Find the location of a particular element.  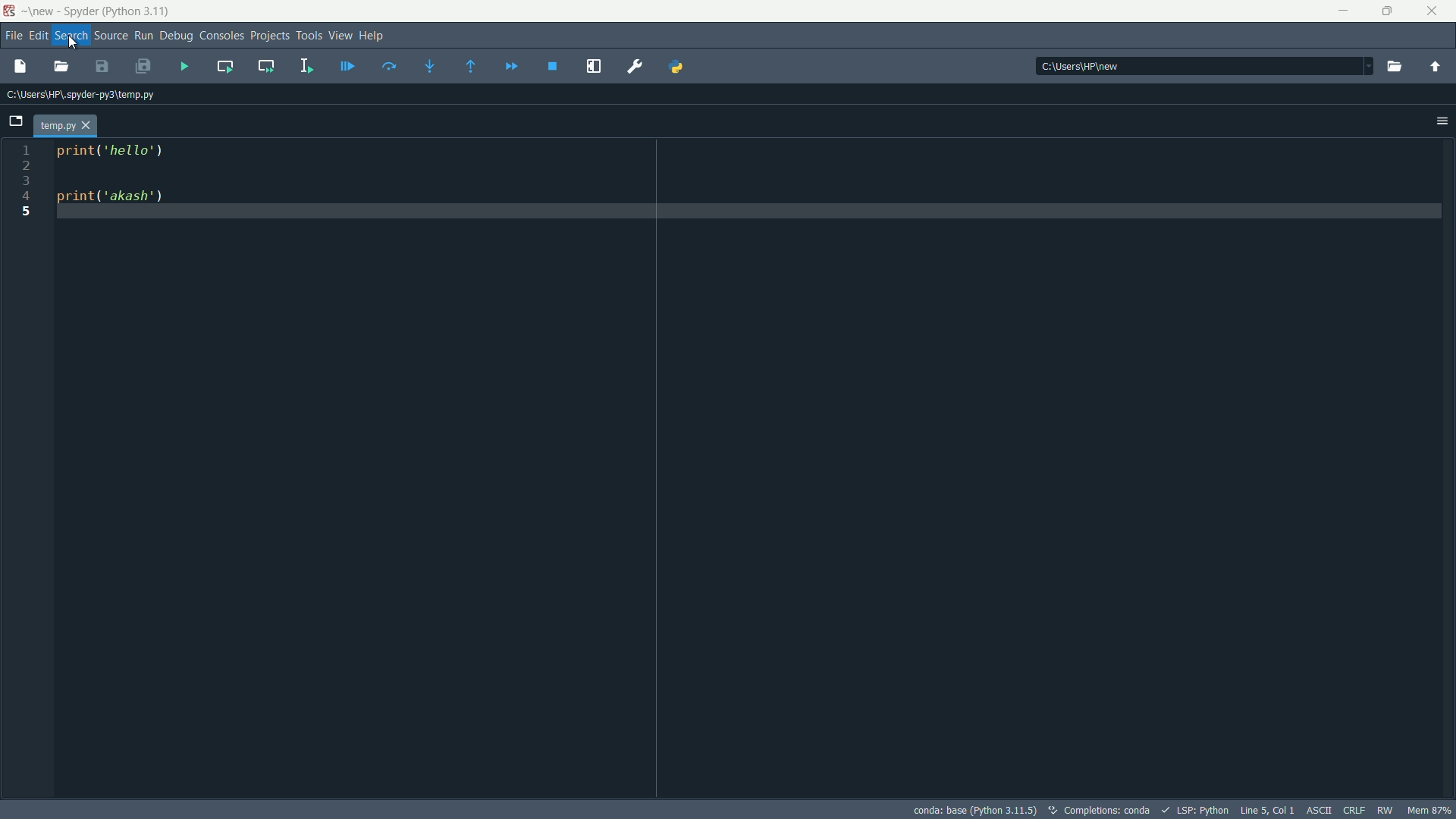

run until current function is located at coordinates (474, 67).